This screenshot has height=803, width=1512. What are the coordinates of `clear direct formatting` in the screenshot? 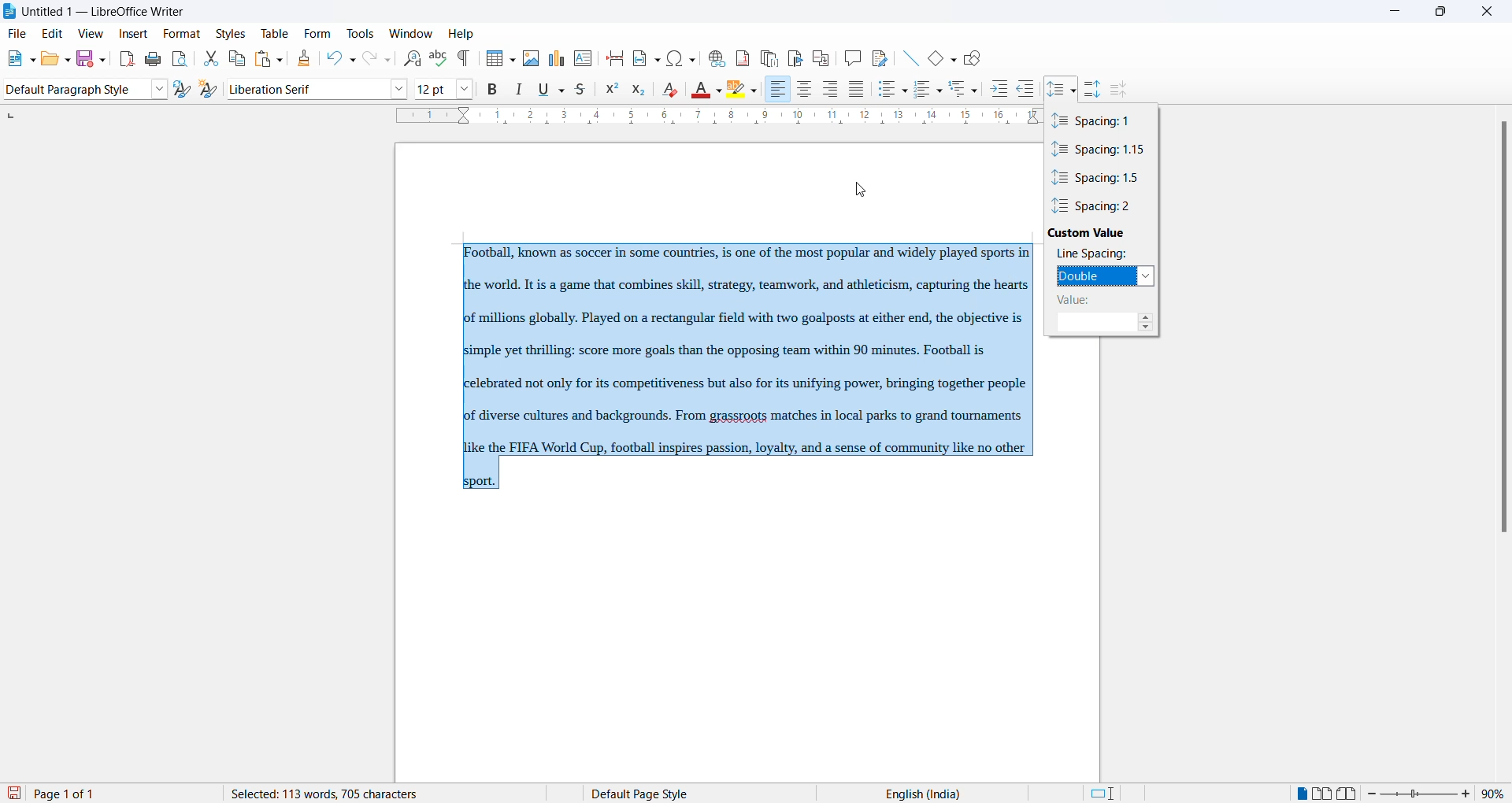 It's located at (669, 88).